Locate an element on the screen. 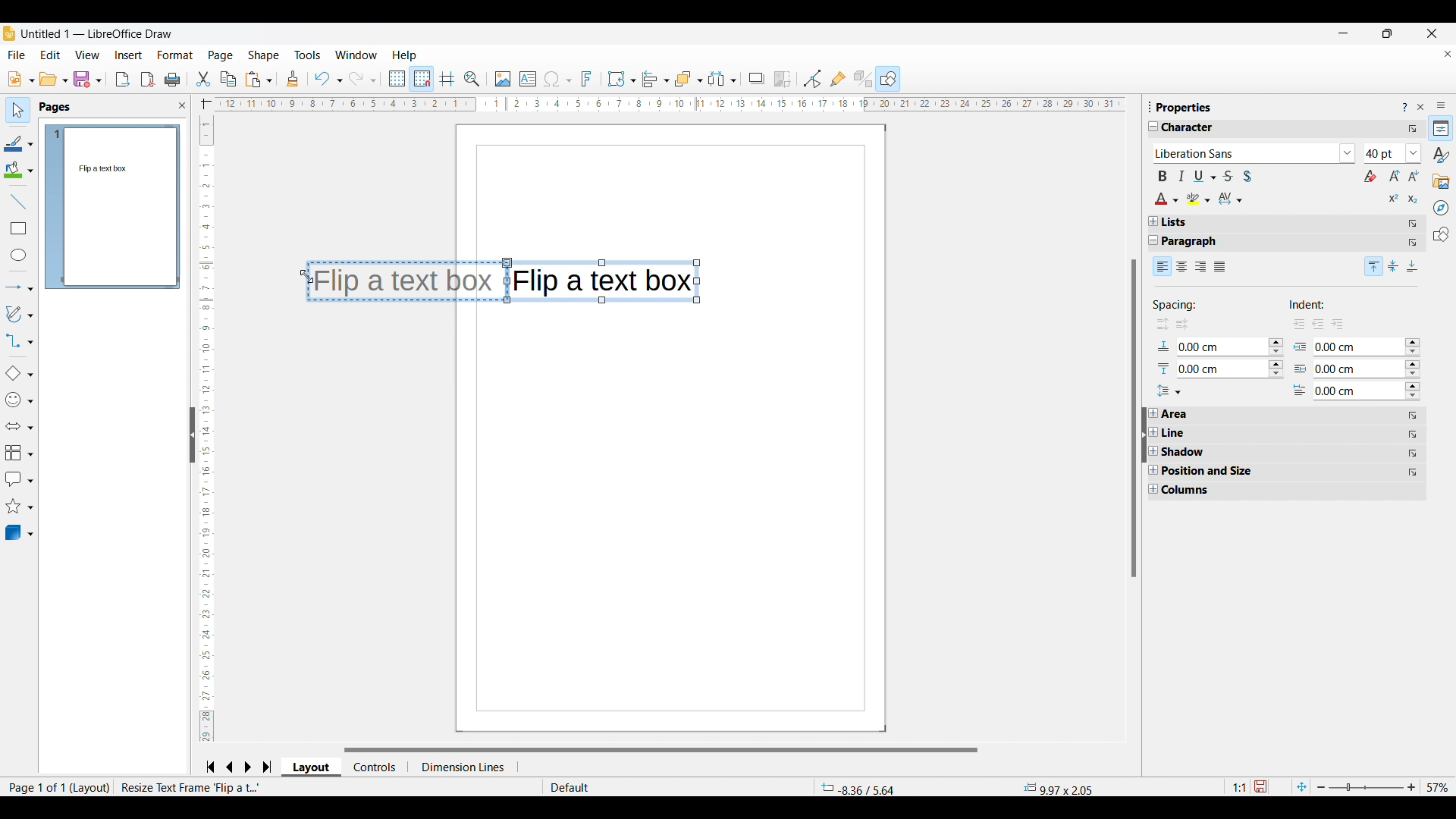  Flip a text box is located at coordinates (606, 281).